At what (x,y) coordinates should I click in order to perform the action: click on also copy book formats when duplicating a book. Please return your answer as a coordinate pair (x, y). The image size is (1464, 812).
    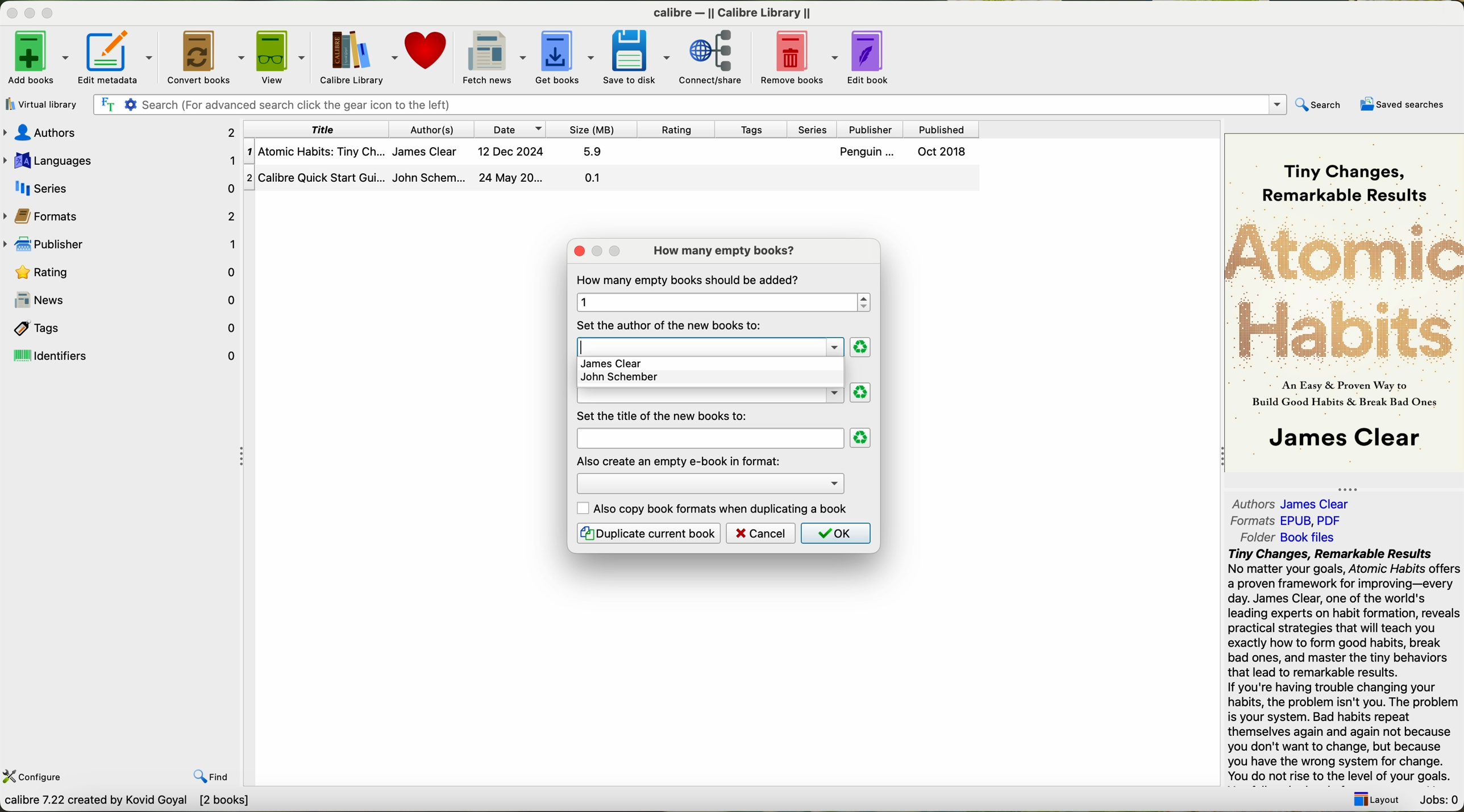
    Looking at the image, I should click on (714, 509).